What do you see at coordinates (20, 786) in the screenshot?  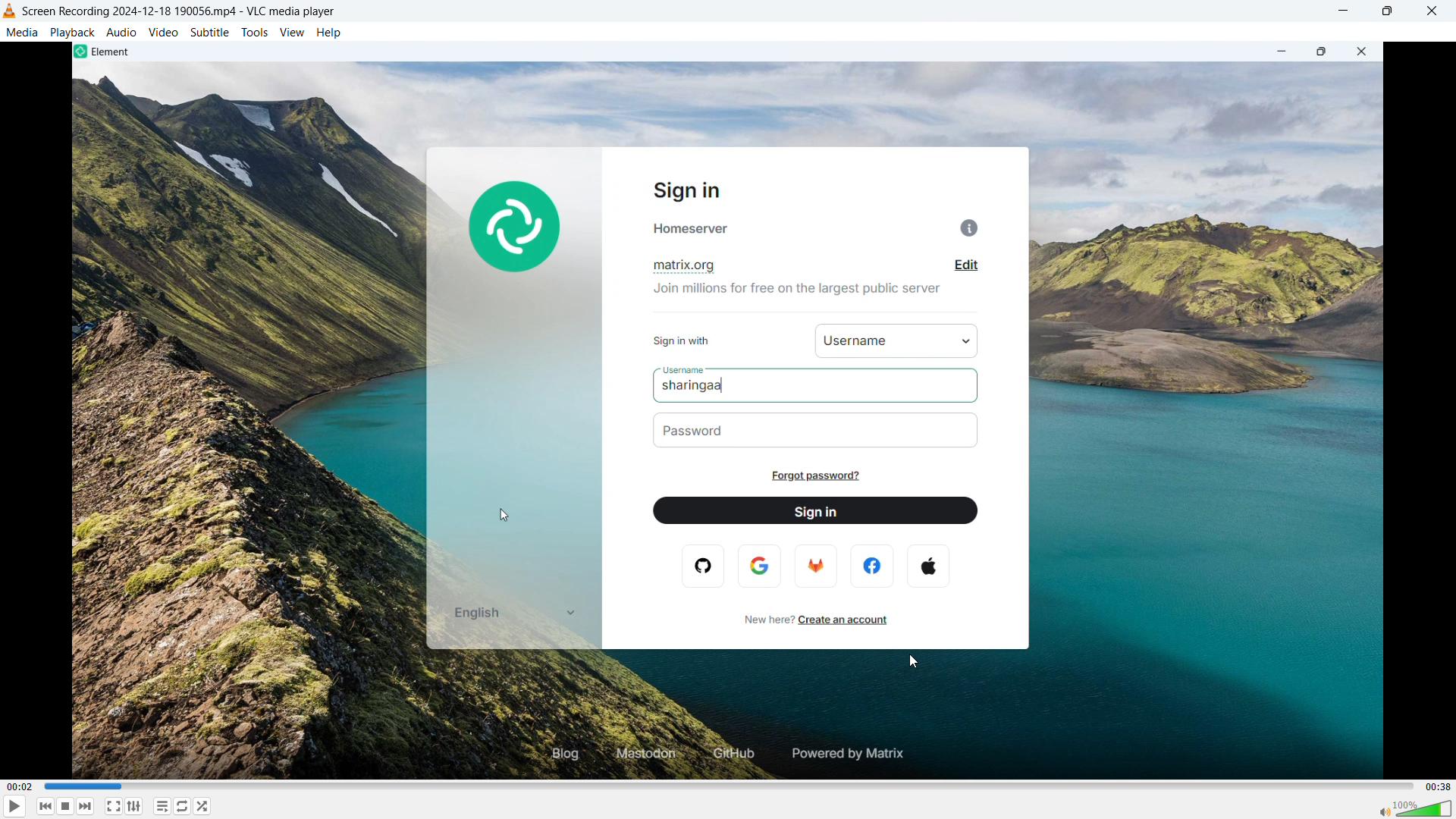 I see `Time elapsed ` at bounding box center [20, 786].